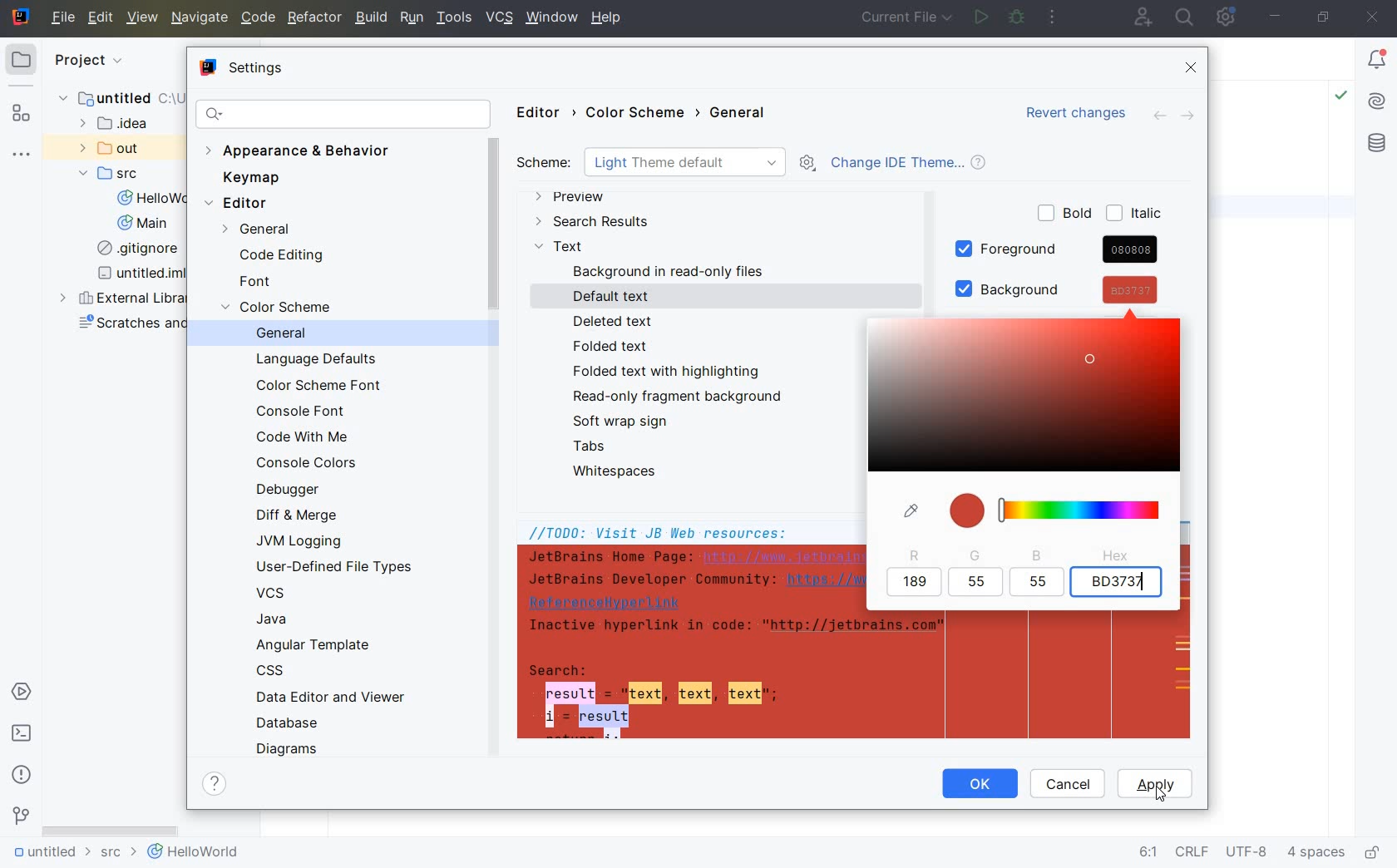 The height and width of the screenshot is (868, 1397). I want to click on TOOLS, so click(455, 18).